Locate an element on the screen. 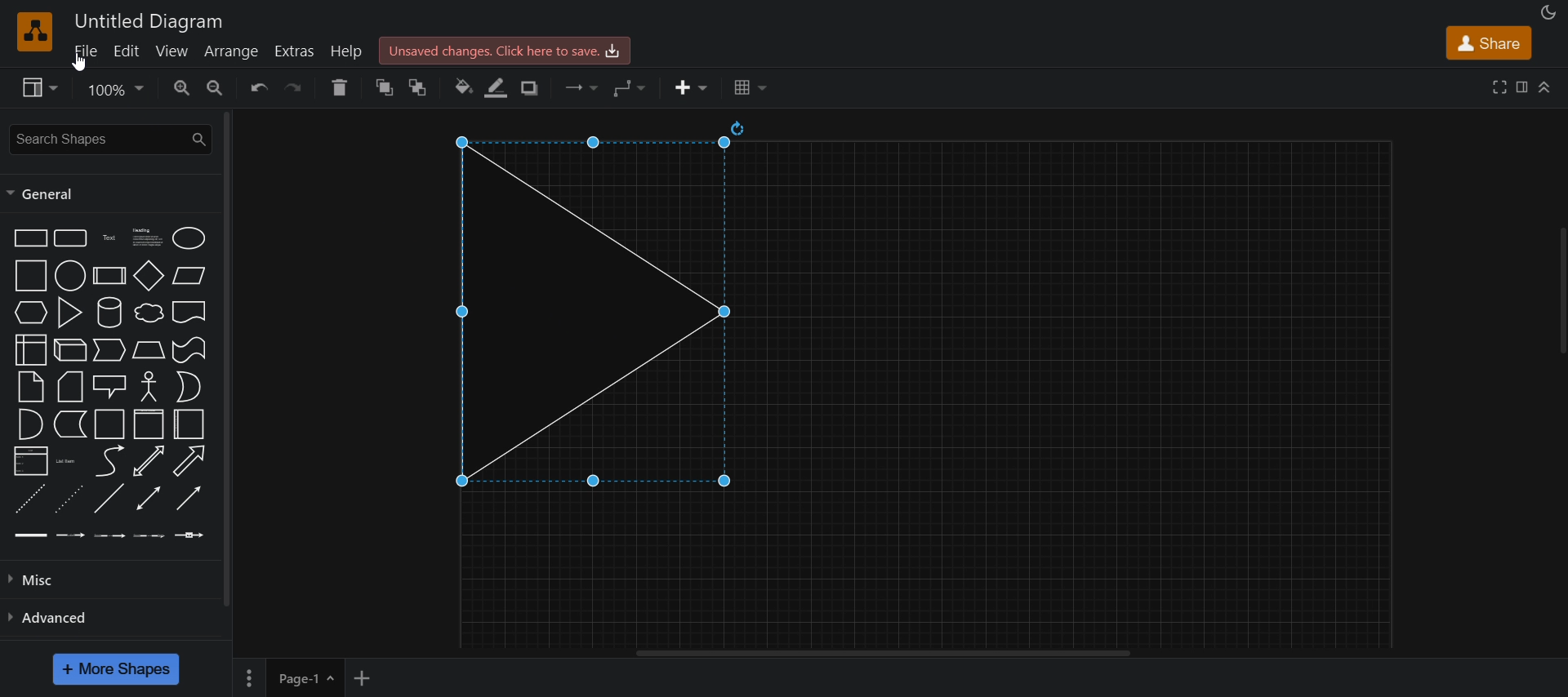 Image resolution: width=1568 pixels, height=697 pixels. file is located at coordinates (86, 55).